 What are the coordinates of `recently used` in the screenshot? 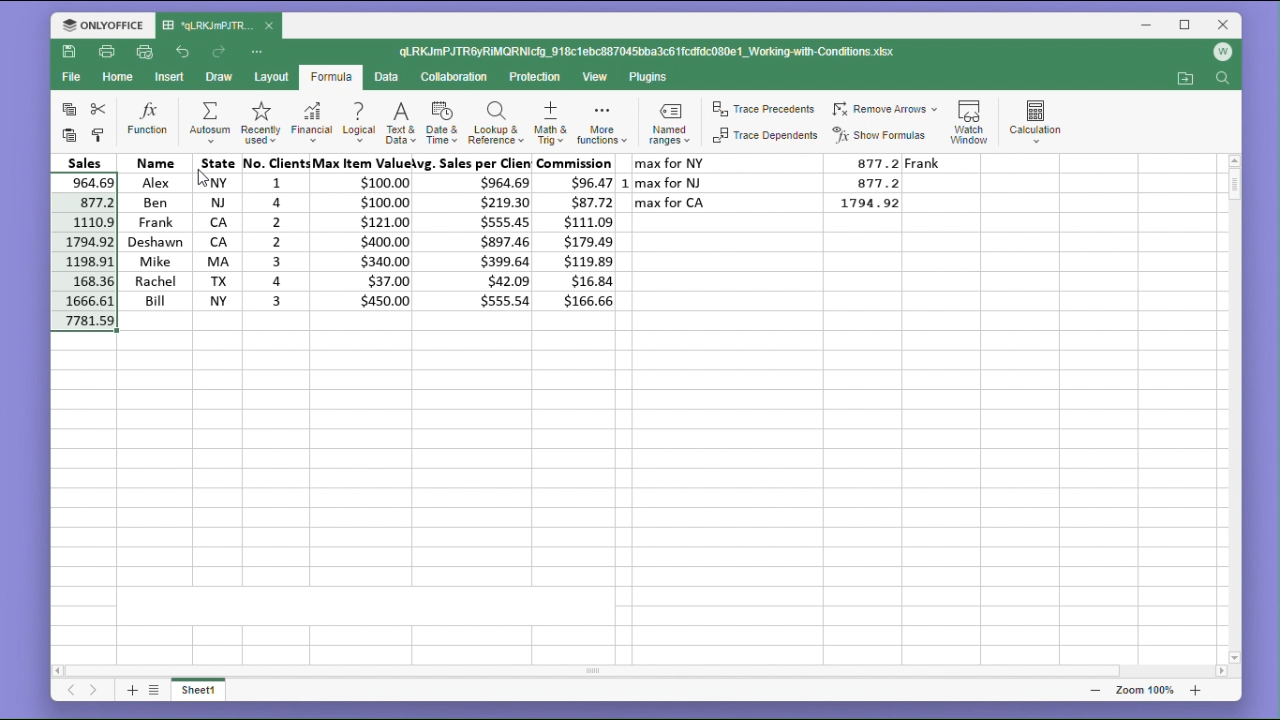 It's located at (259, 124).